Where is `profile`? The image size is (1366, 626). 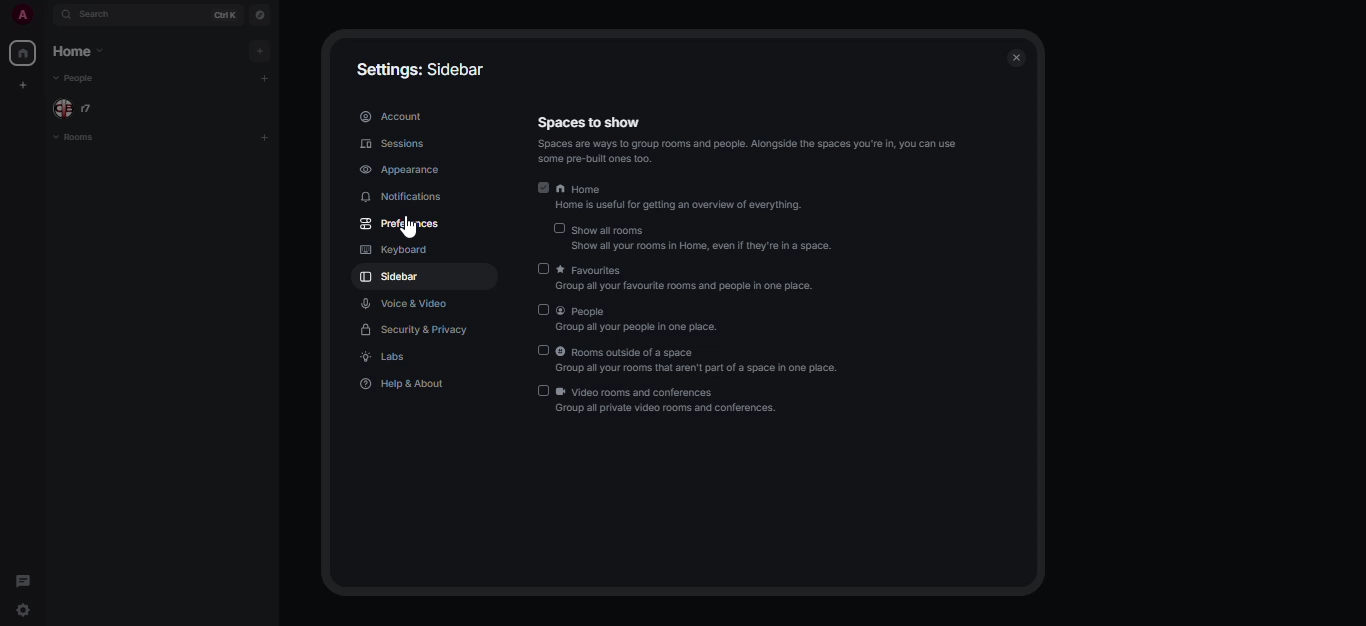 profile is located at coordinates (21, 13).